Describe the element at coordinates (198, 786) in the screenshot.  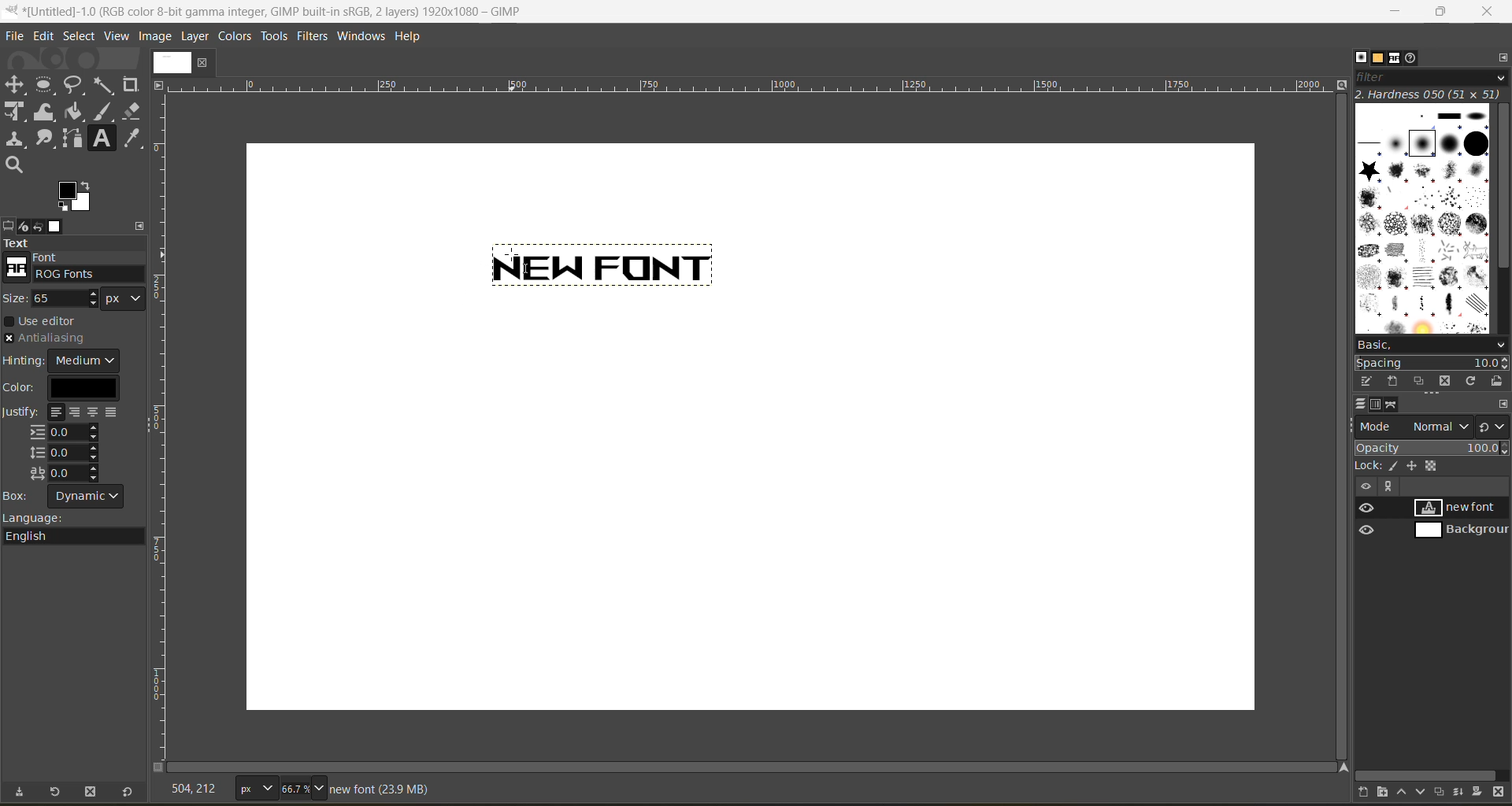
I see `coordinates` at that location.